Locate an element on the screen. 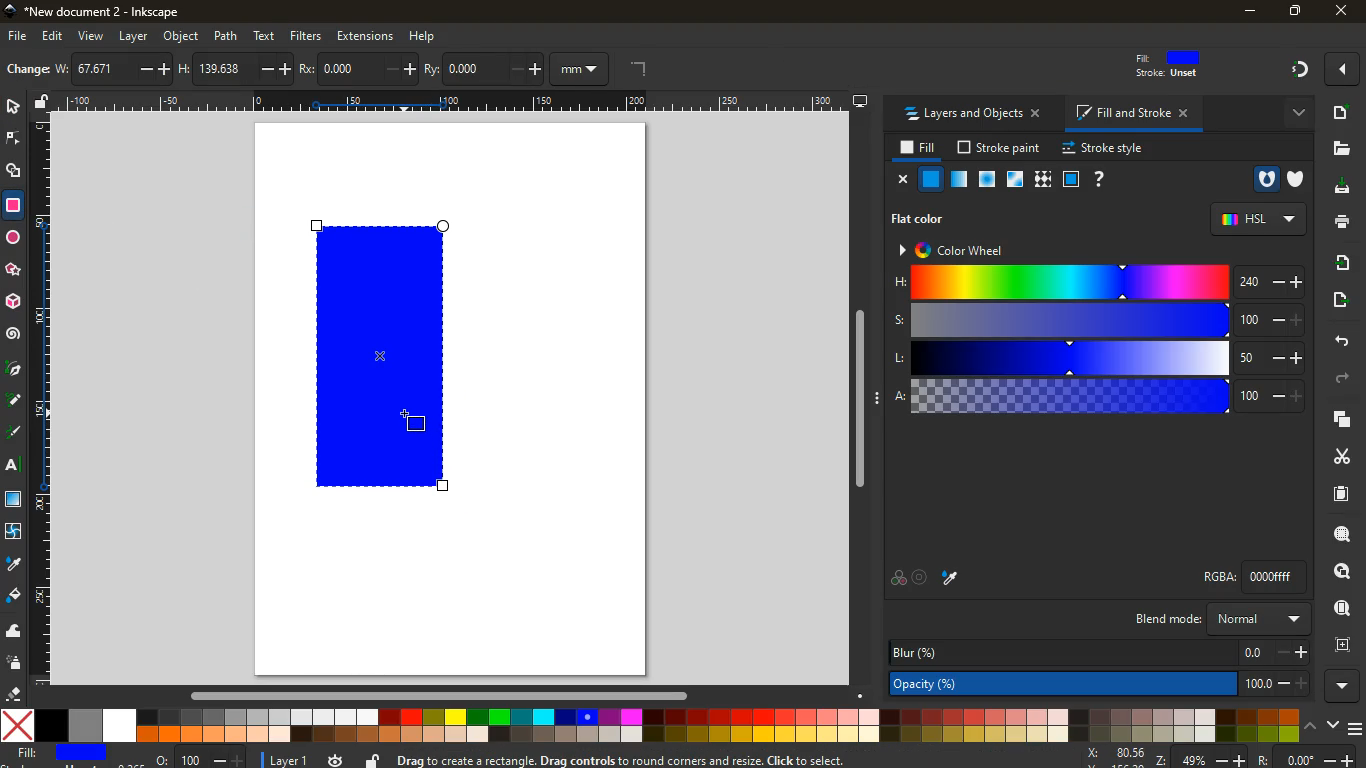 The image size is (1366, 768). fill is located at coordinates (1169, 64).